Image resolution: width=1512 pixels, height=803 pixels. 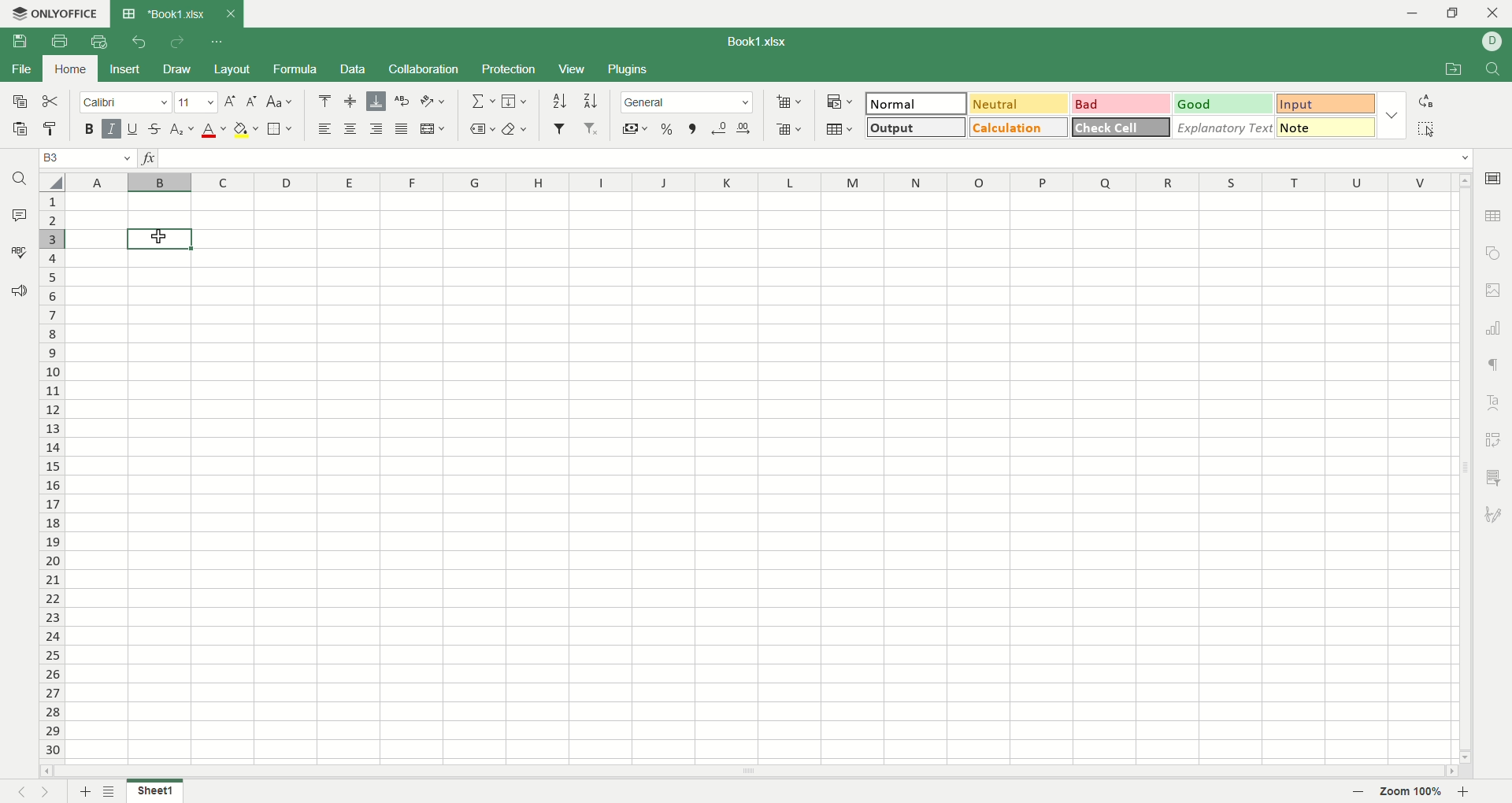 I want to click on Zoom out, so click(x=1359, y=793).